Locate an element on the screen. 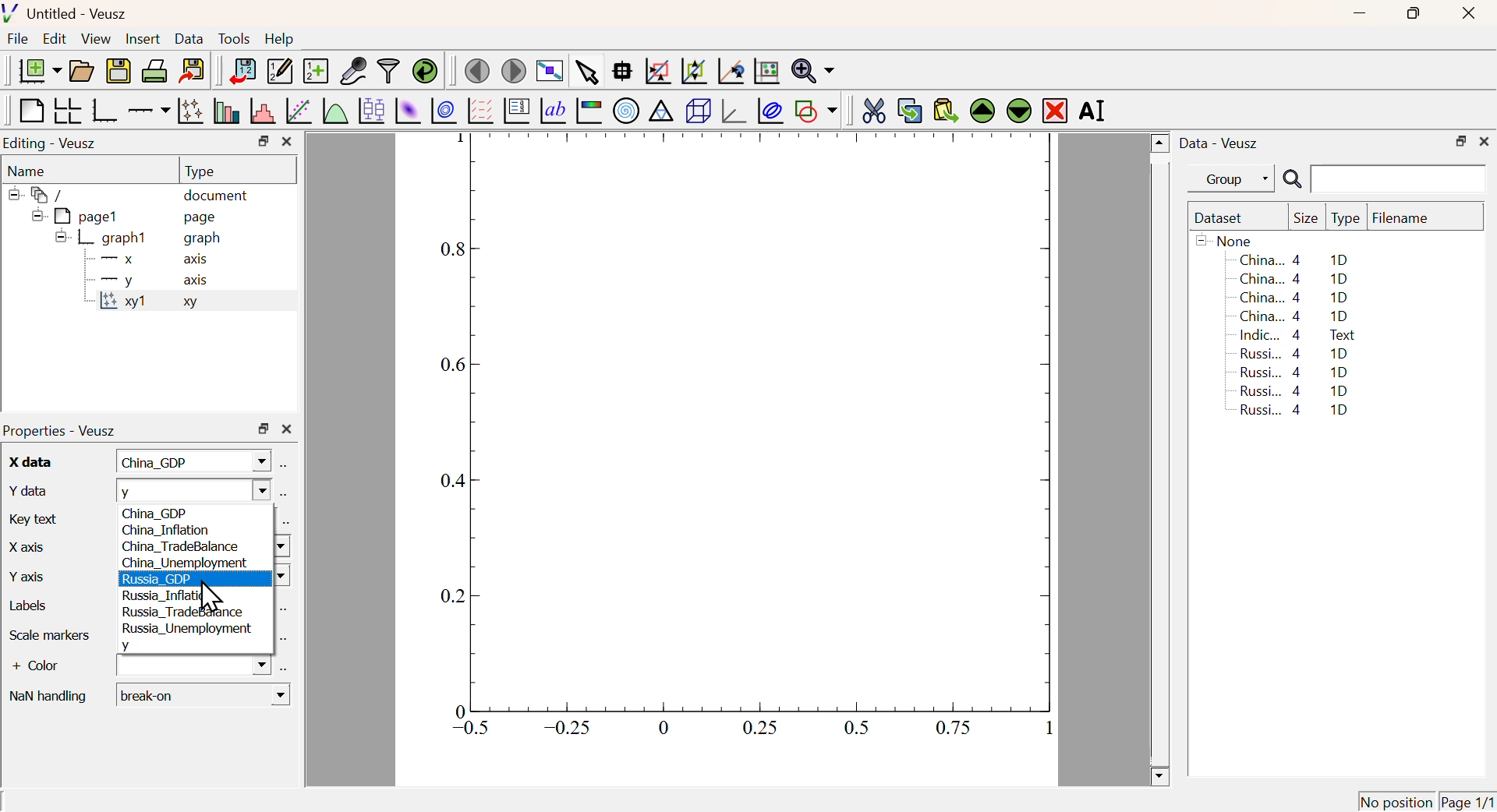  Cursor is located at coordinates (212, 598).